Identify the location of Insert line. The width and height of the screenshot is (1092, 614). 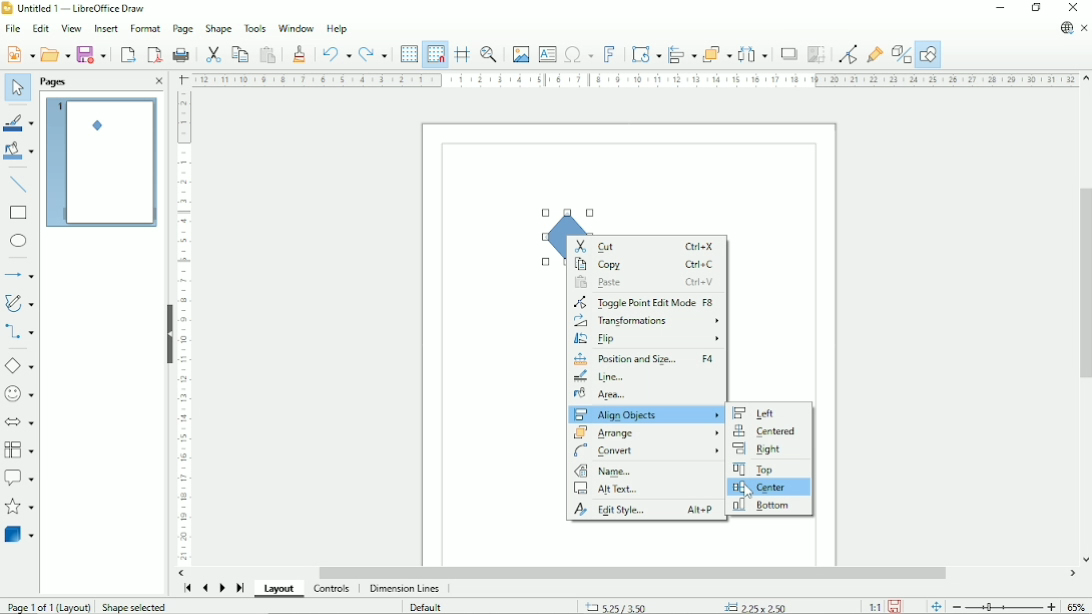
(21, 185).